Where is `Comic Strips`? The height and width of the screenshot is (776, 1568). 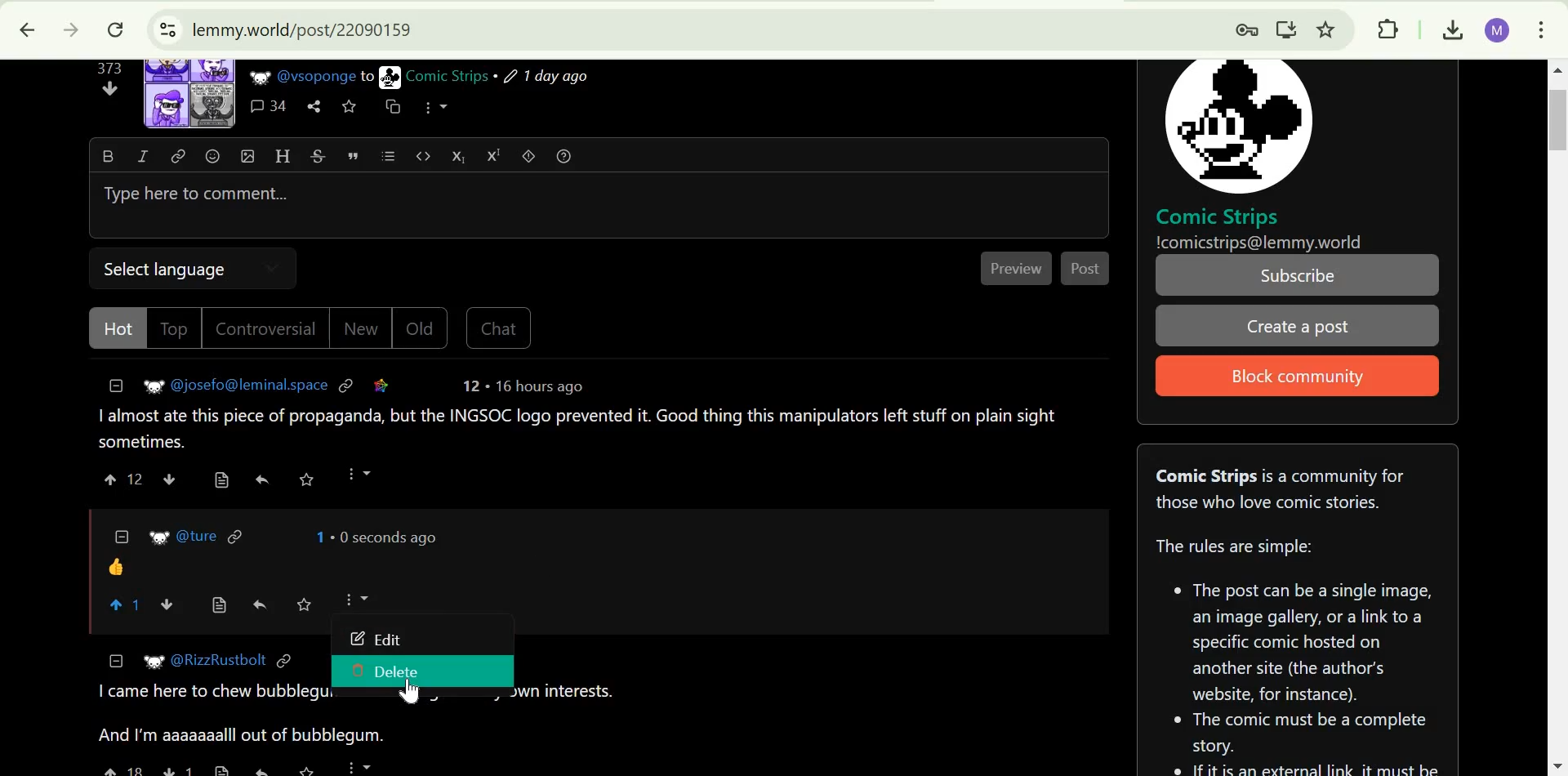 Comic Strips is located at coordinates (447, 76).